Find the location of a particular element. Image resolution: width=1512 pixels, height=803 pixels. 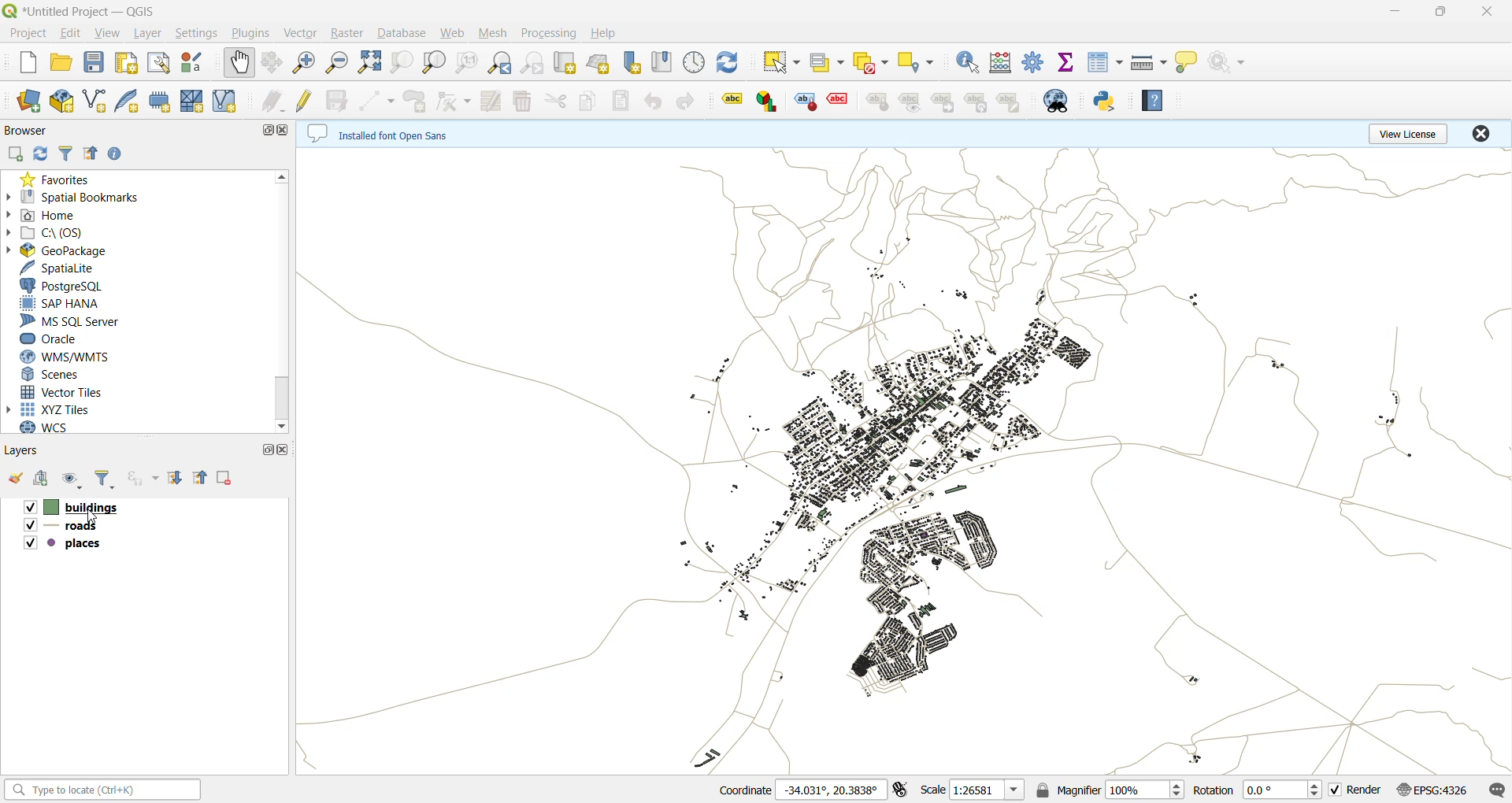

raster is located at coordinates (347, 35).